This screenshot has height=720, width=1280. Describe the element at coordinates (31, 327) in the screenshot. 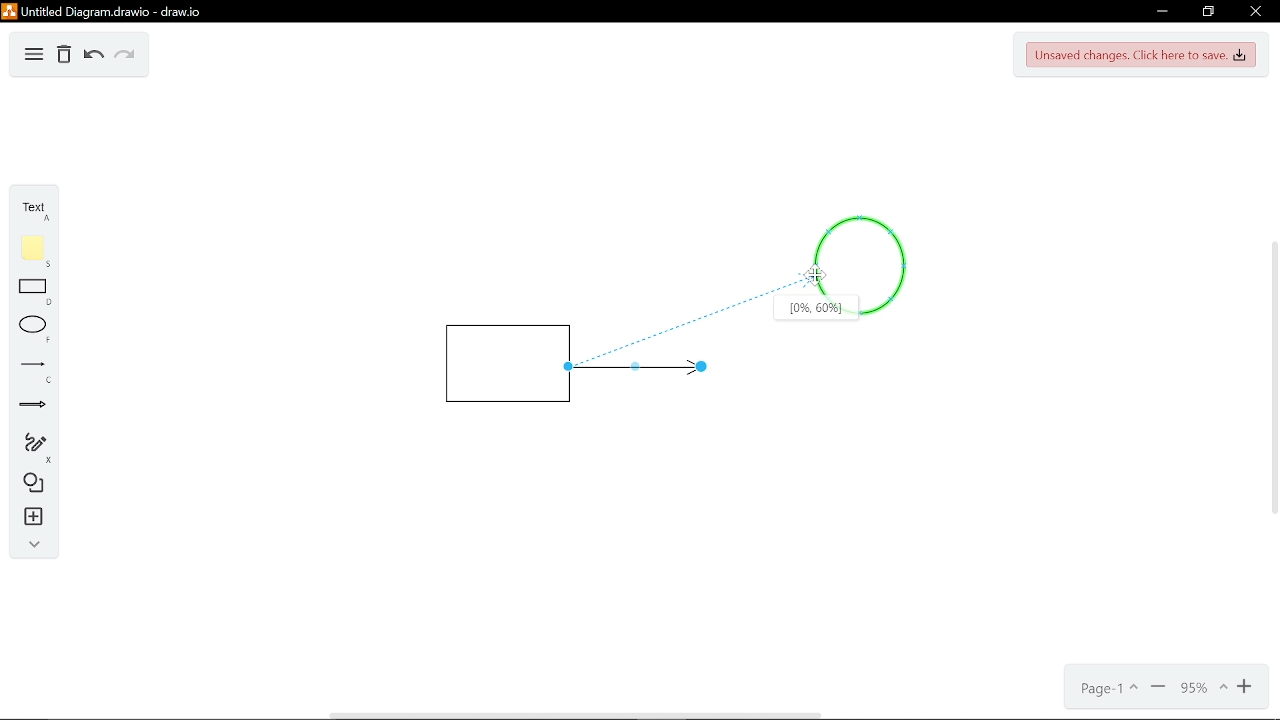

I see `ELlippse` at that location.